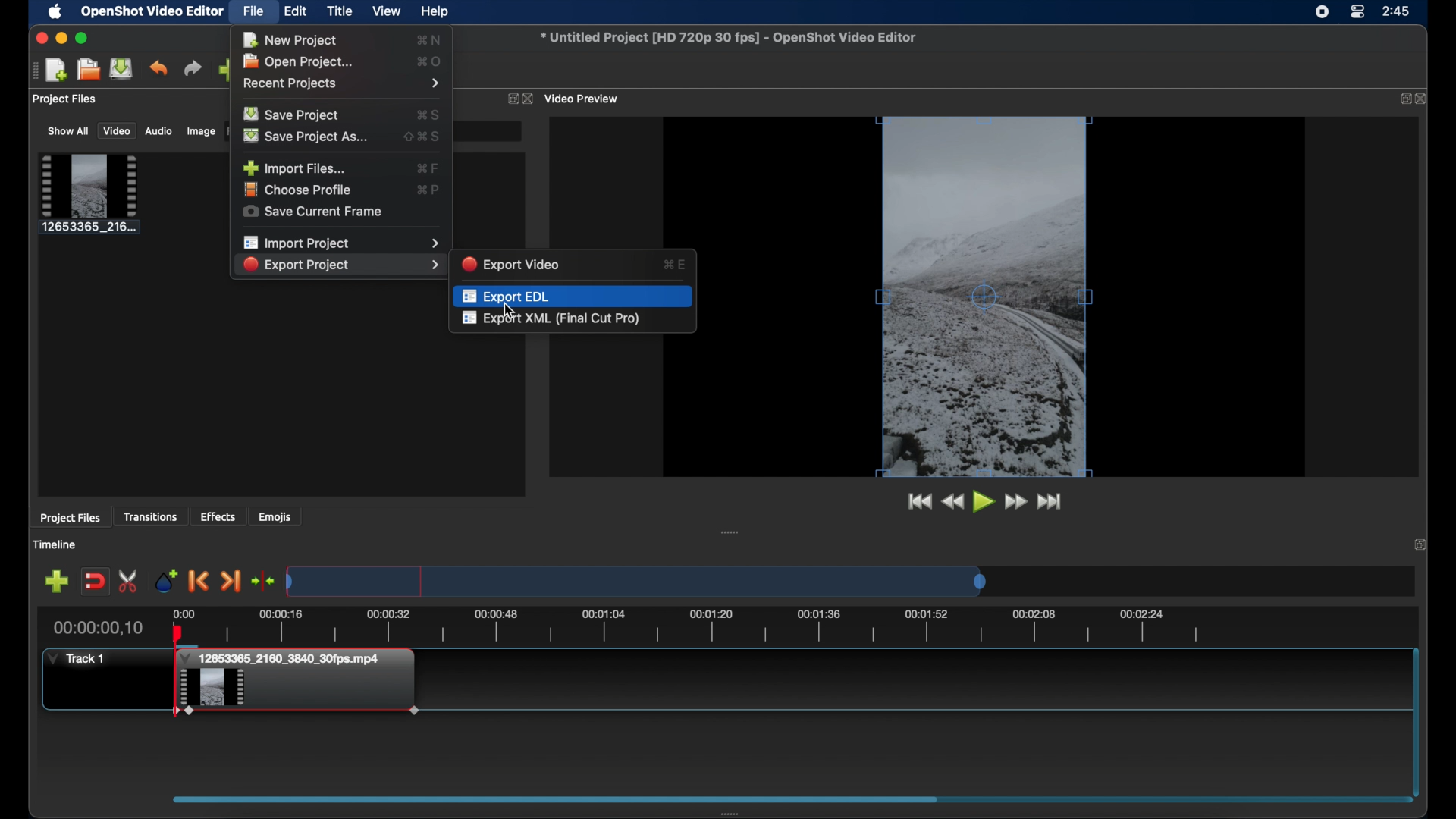 The image size is (1456, 819). Describe the element at coordinates (513, 263) in the screenshot. I see `export video` at that location.